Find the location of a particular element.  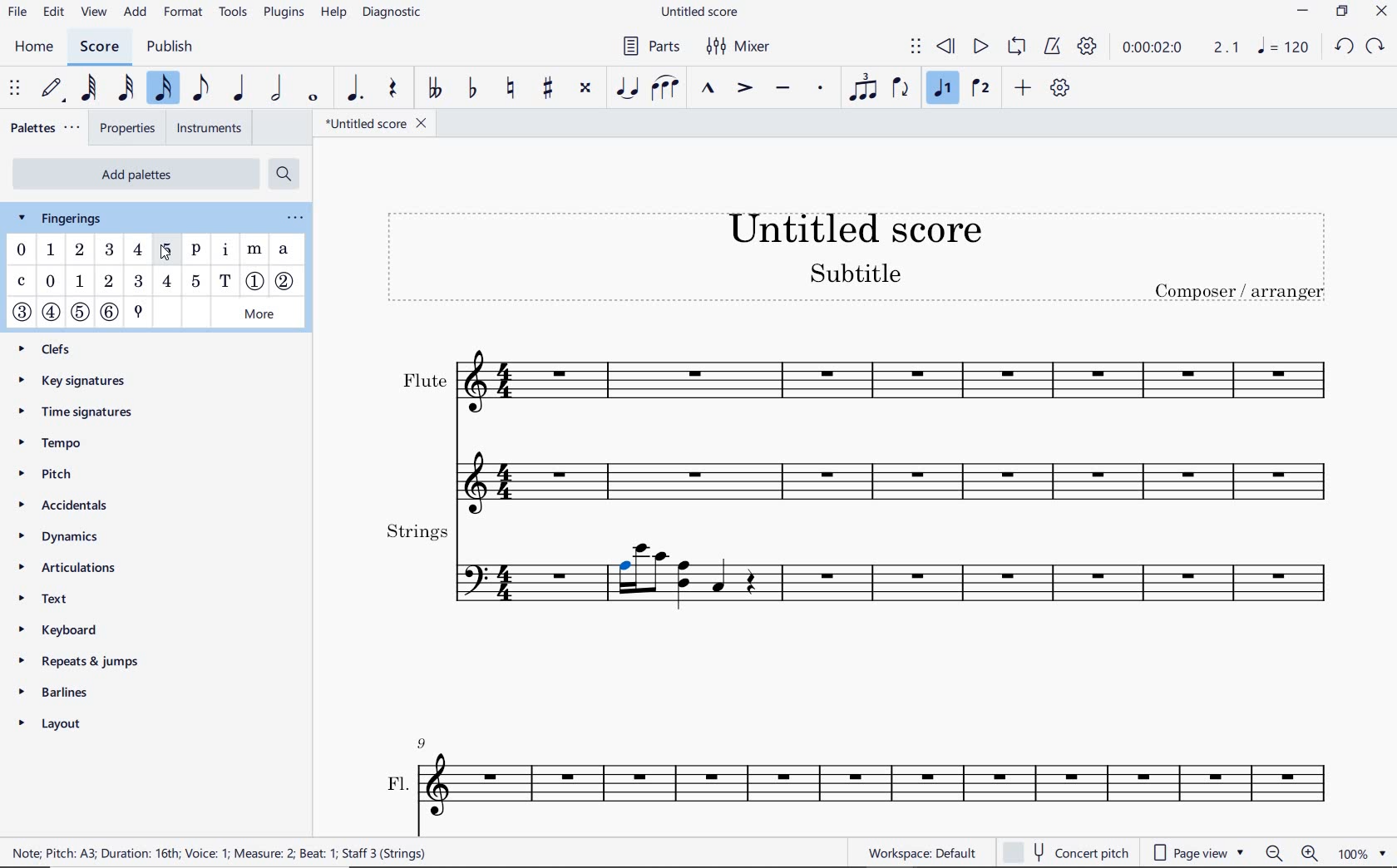

CLOSE is located at coordinates (1380, 13).